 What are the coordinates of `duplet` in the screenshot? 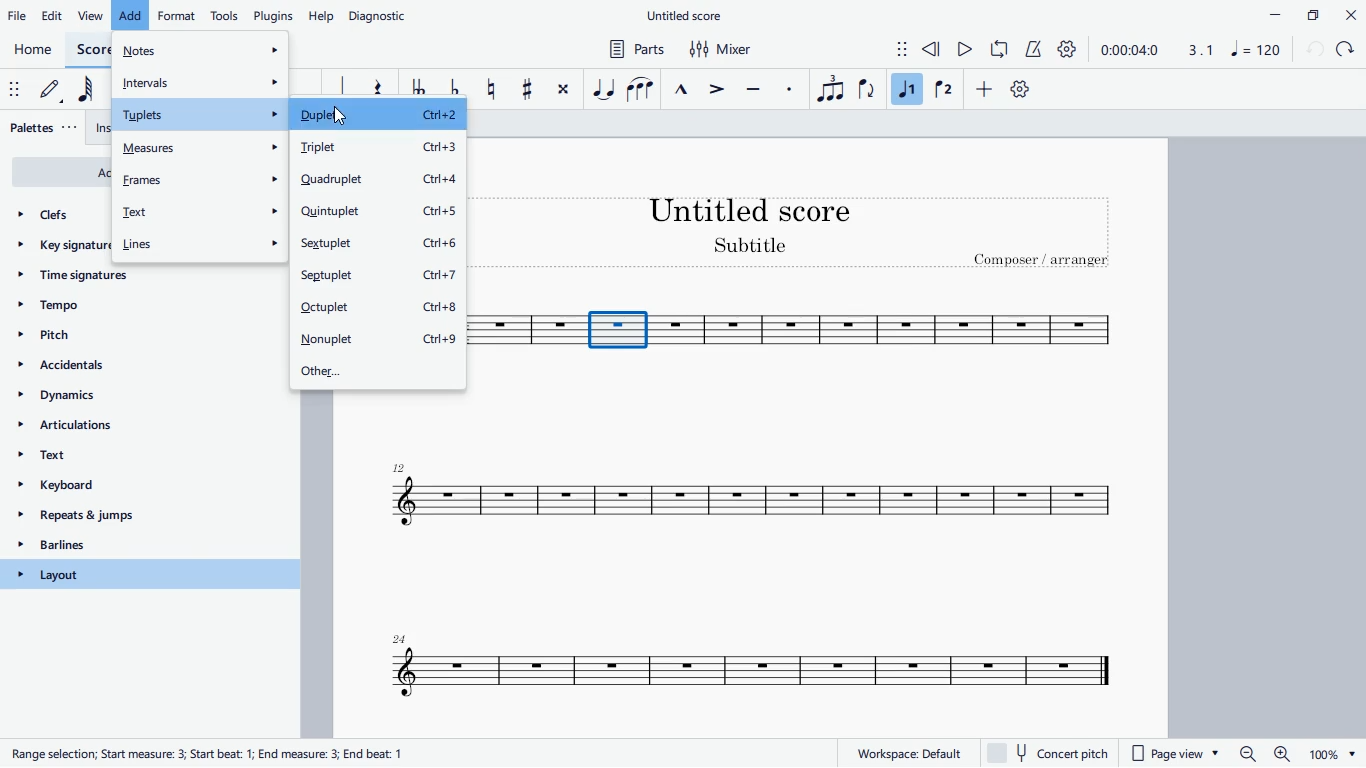 It's located at (375, 117).